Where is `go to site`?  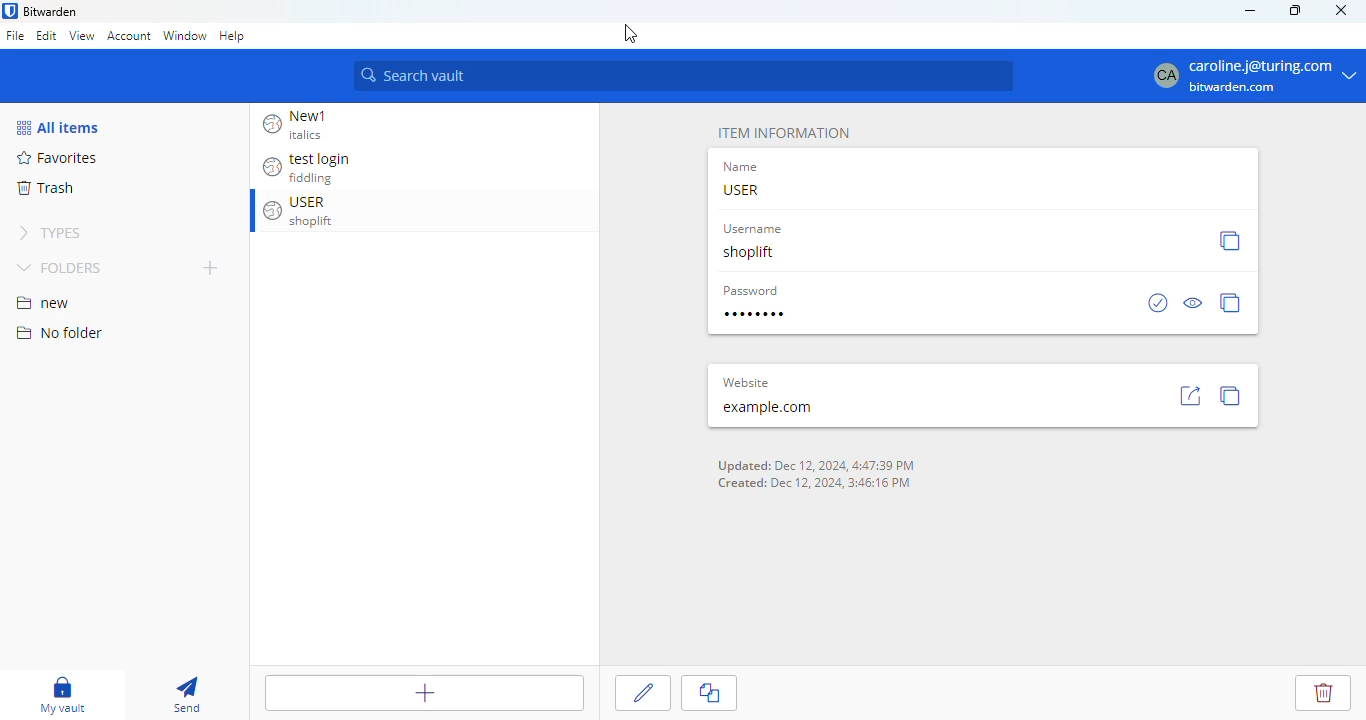
go to site is located at coordinates (1187, 395).